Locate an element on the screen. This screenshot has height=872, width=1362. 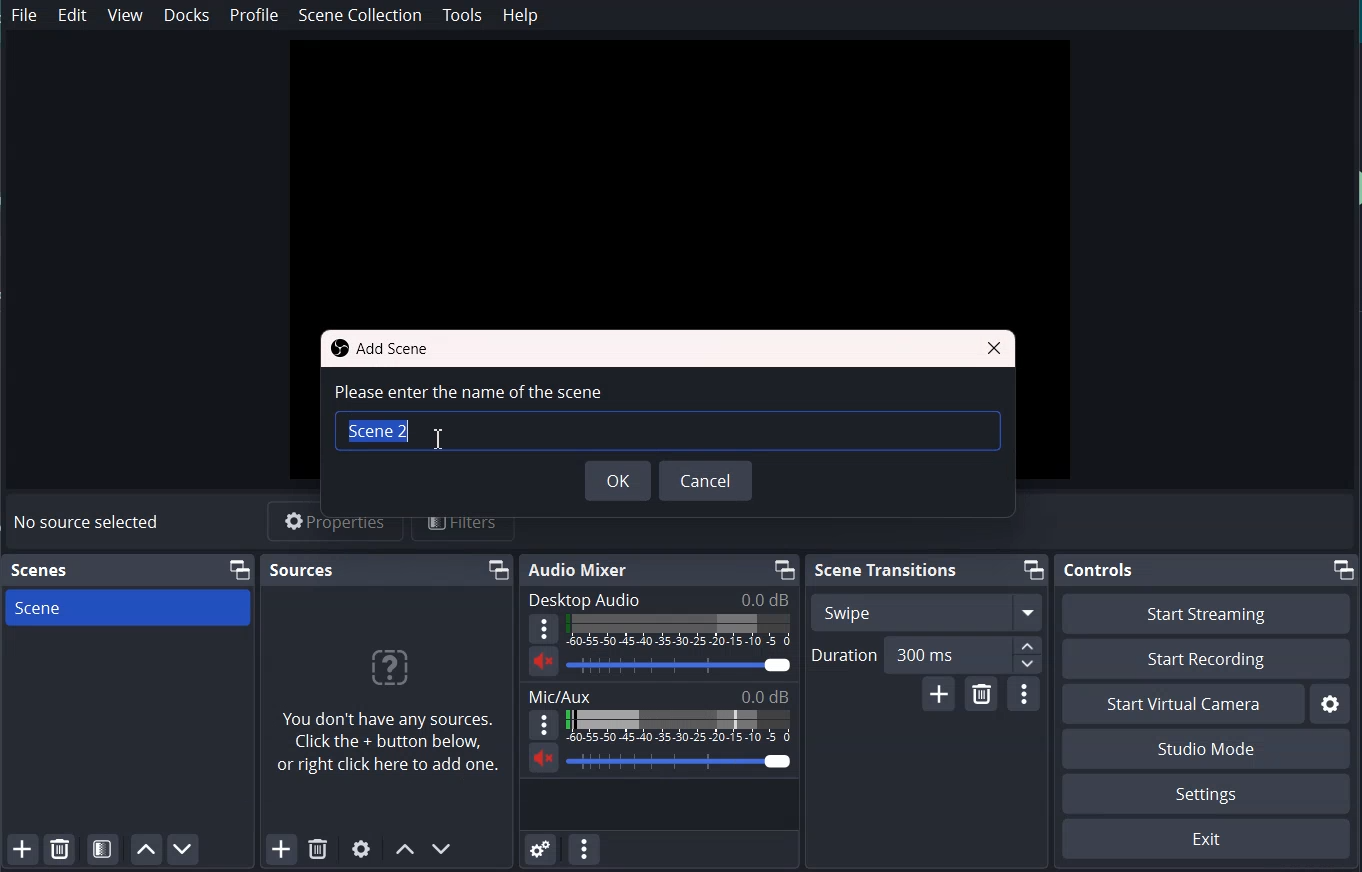
Controls is located at coordinates (1101, 570).